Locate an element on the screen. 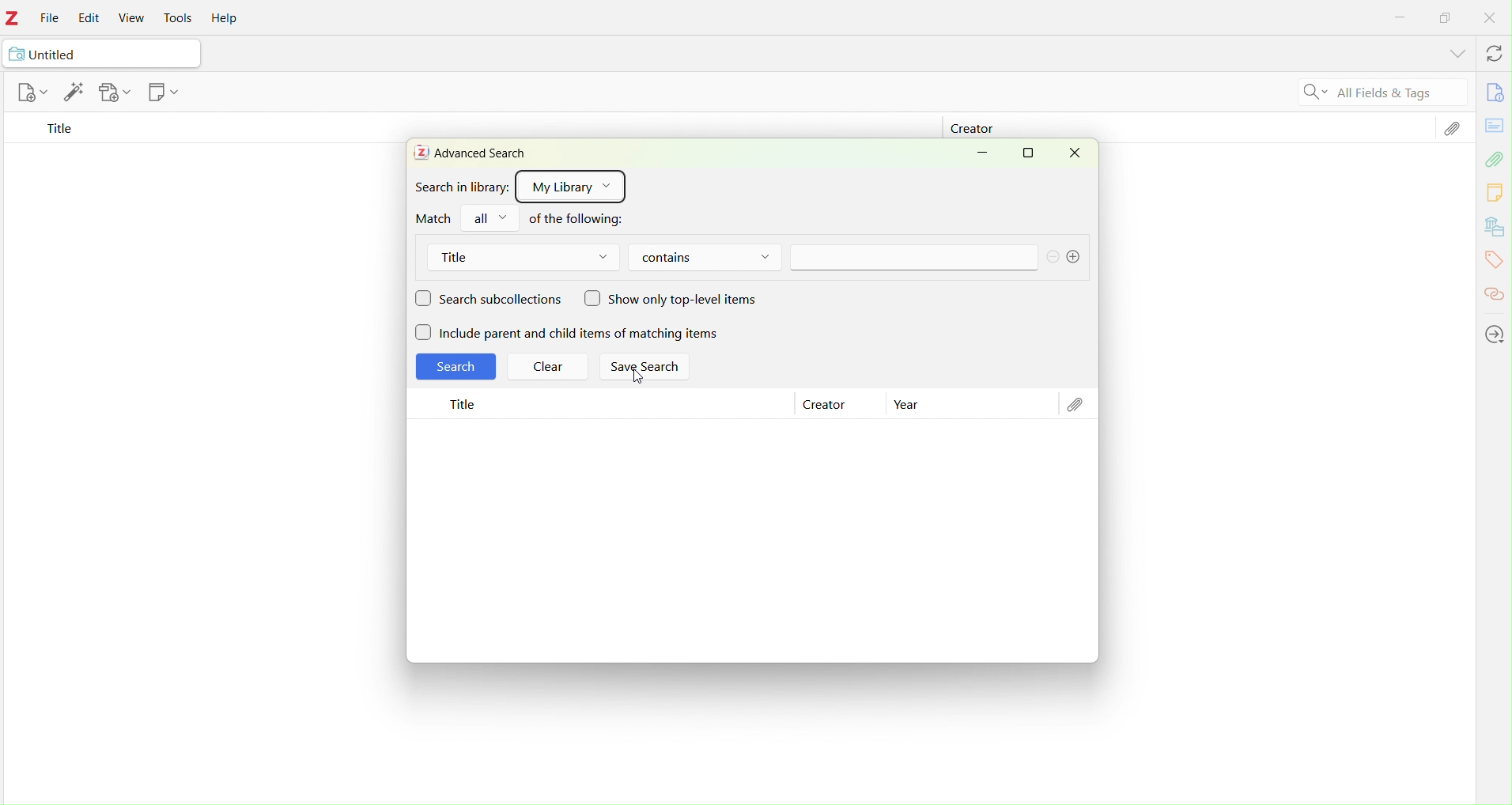 Image resolution: width=1512 pixels, height=805 pixels. Creator is located at coordinates (821, 404).